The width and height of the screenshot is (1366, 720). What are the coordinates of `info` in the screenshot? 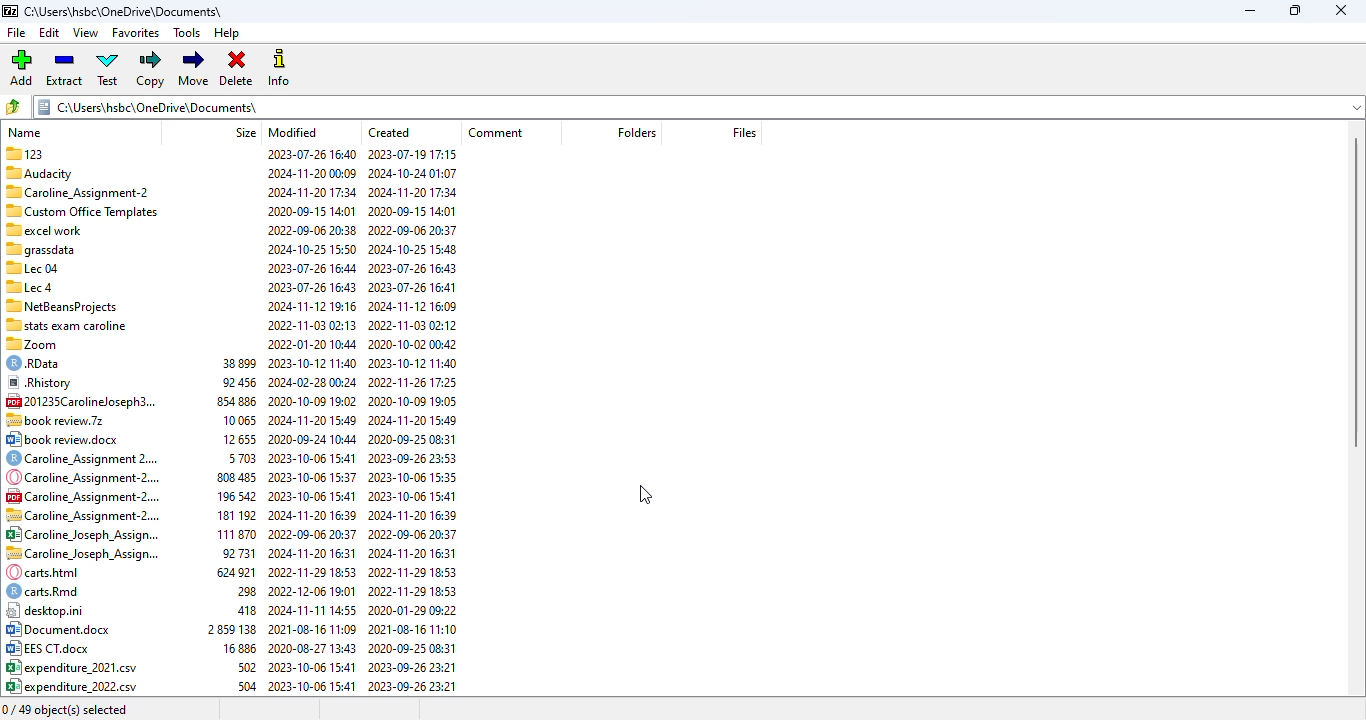 It's located at (280, 68).